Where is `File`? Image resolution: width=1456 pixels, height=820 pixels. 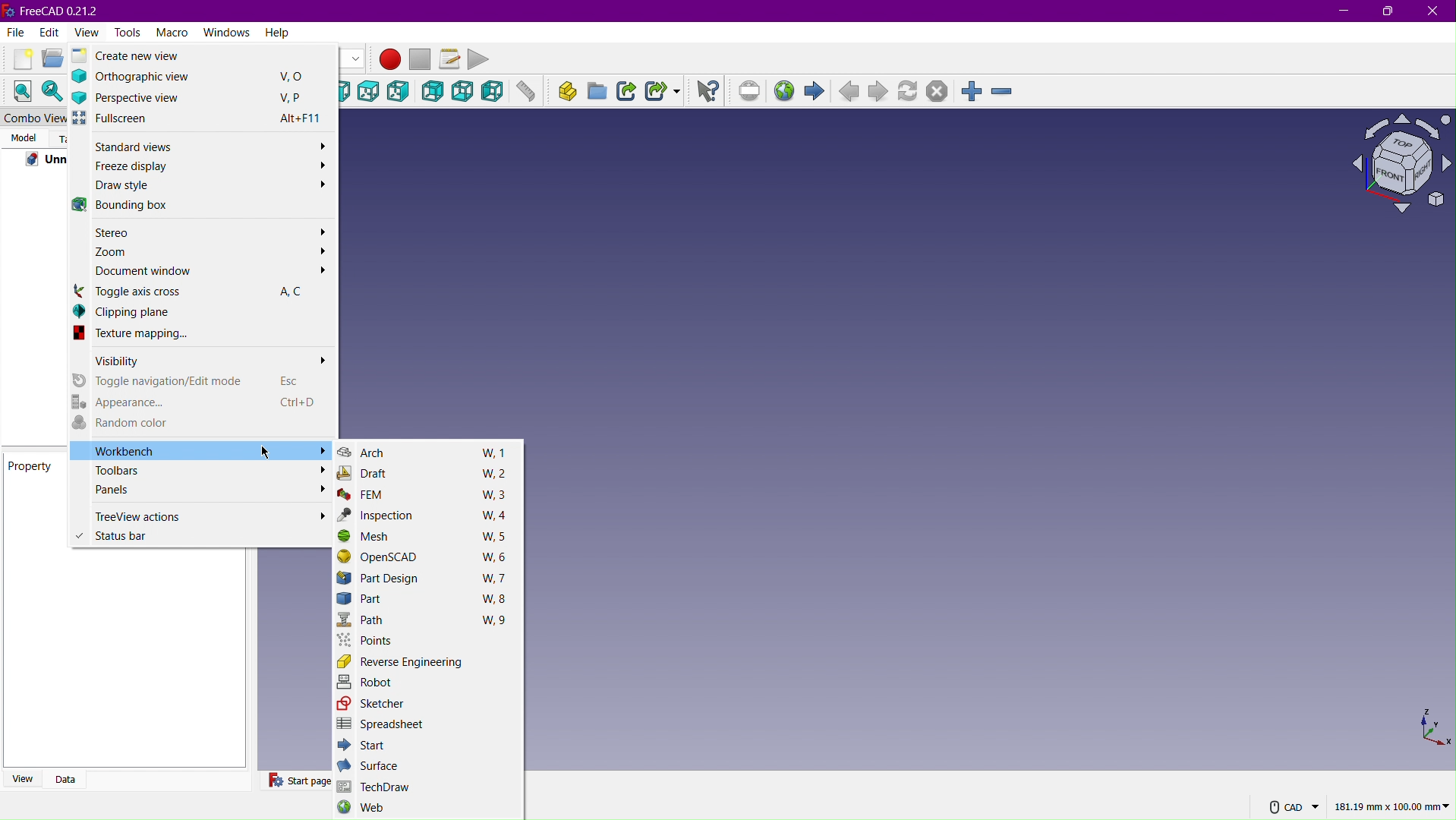
File is located at coordinates (14, 33).